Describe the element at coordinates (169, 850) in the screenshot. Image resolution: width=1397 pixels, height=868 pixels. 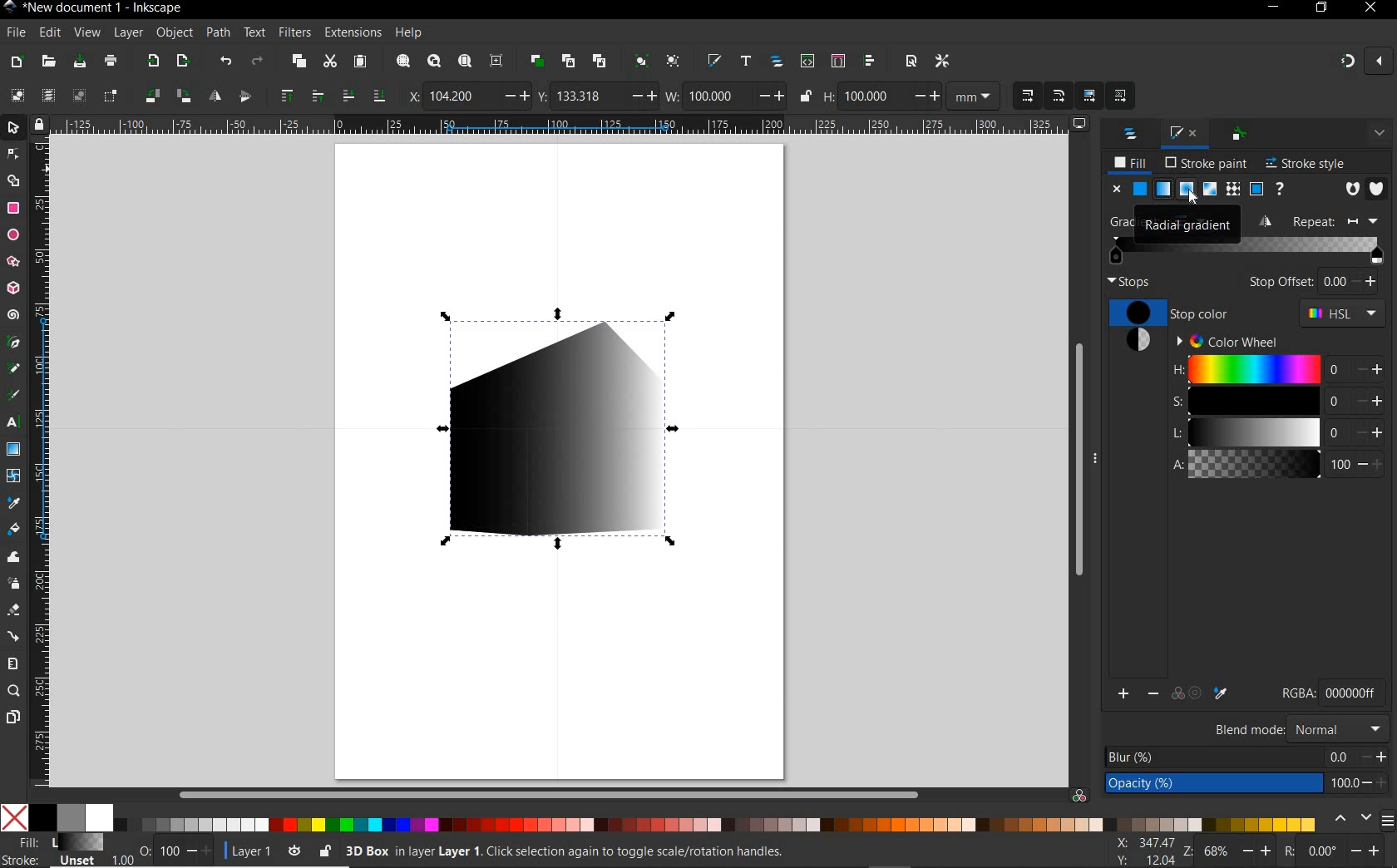
I see `100` at that location.